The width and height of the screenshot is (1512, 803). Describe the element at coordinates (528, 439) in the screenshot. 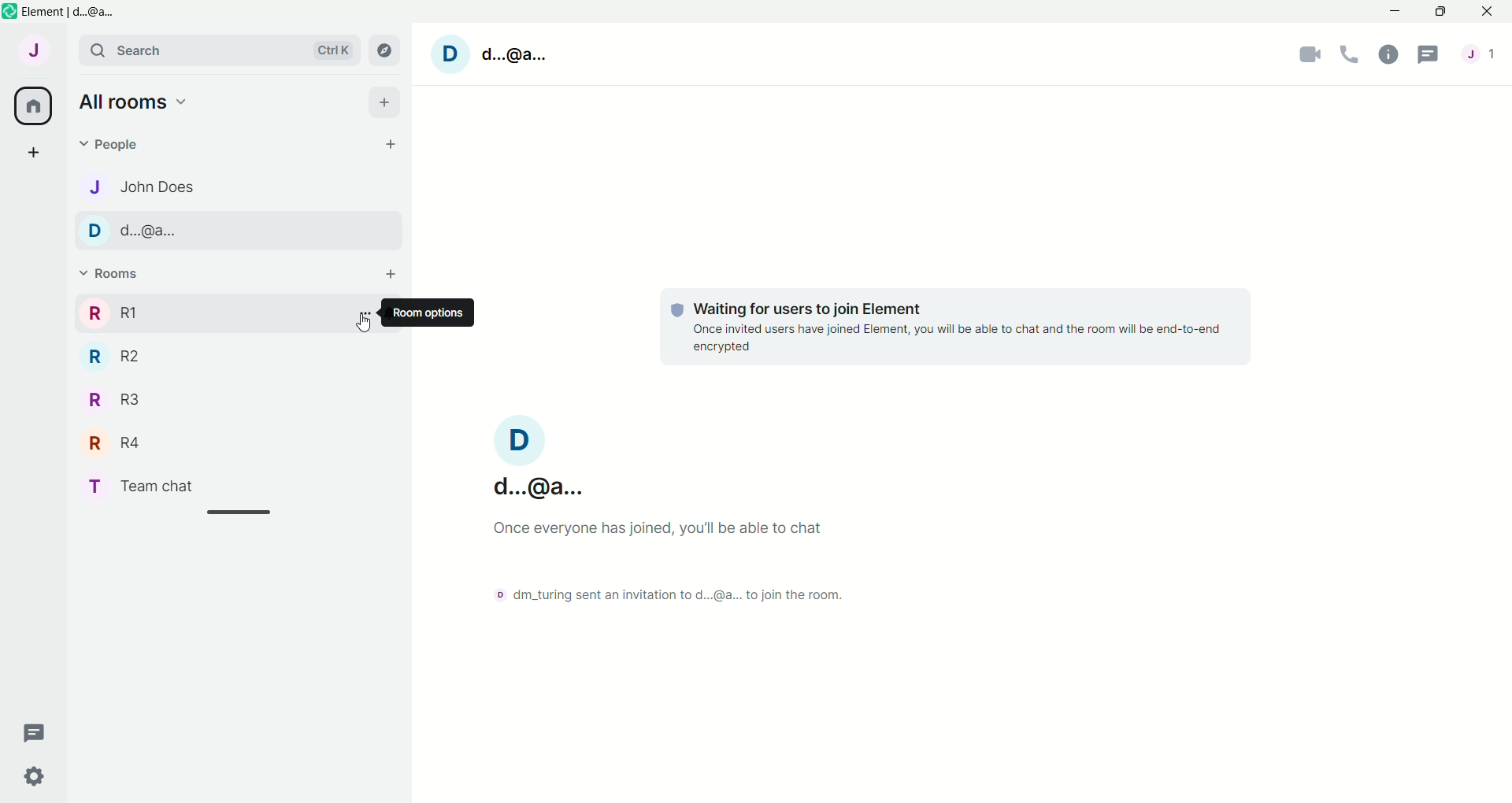

I see `D Profile` at that location.